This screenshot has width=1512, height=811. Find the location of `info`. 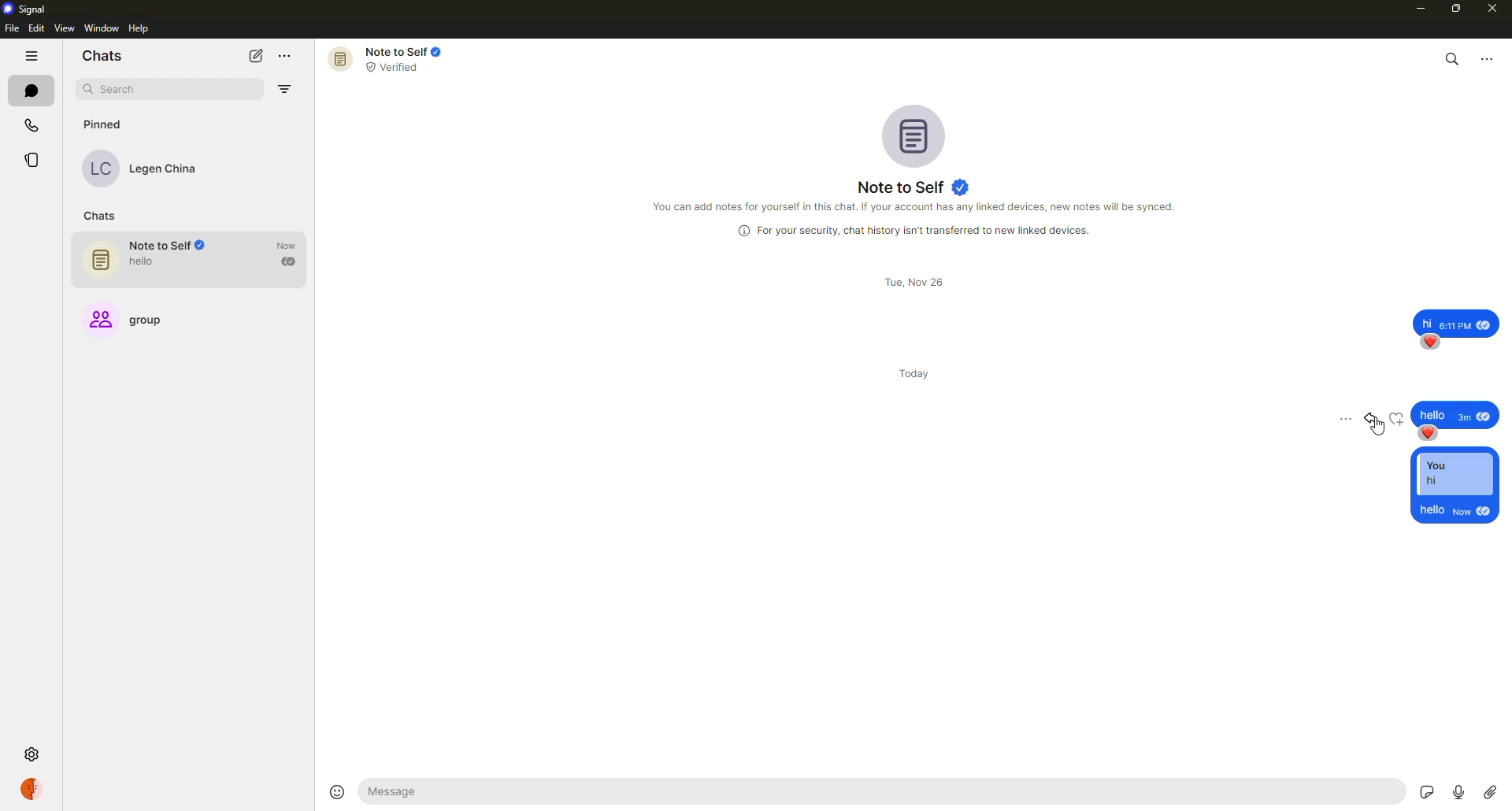

info is located at coordinates (919, 207).